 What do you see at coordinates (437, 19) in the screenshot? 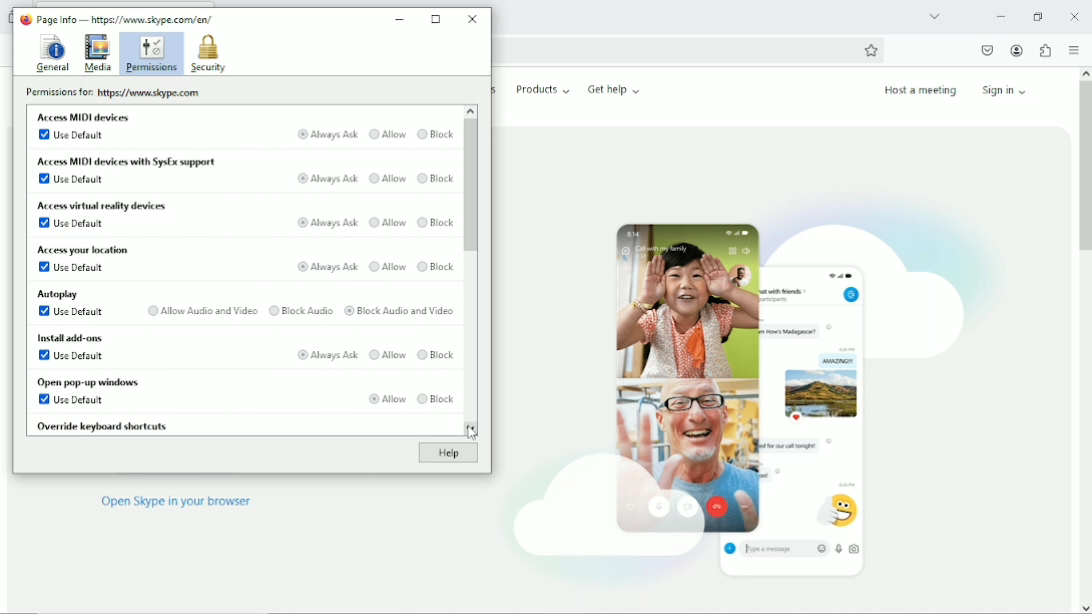
I see `Maximize` at bounding box center [437, 19].